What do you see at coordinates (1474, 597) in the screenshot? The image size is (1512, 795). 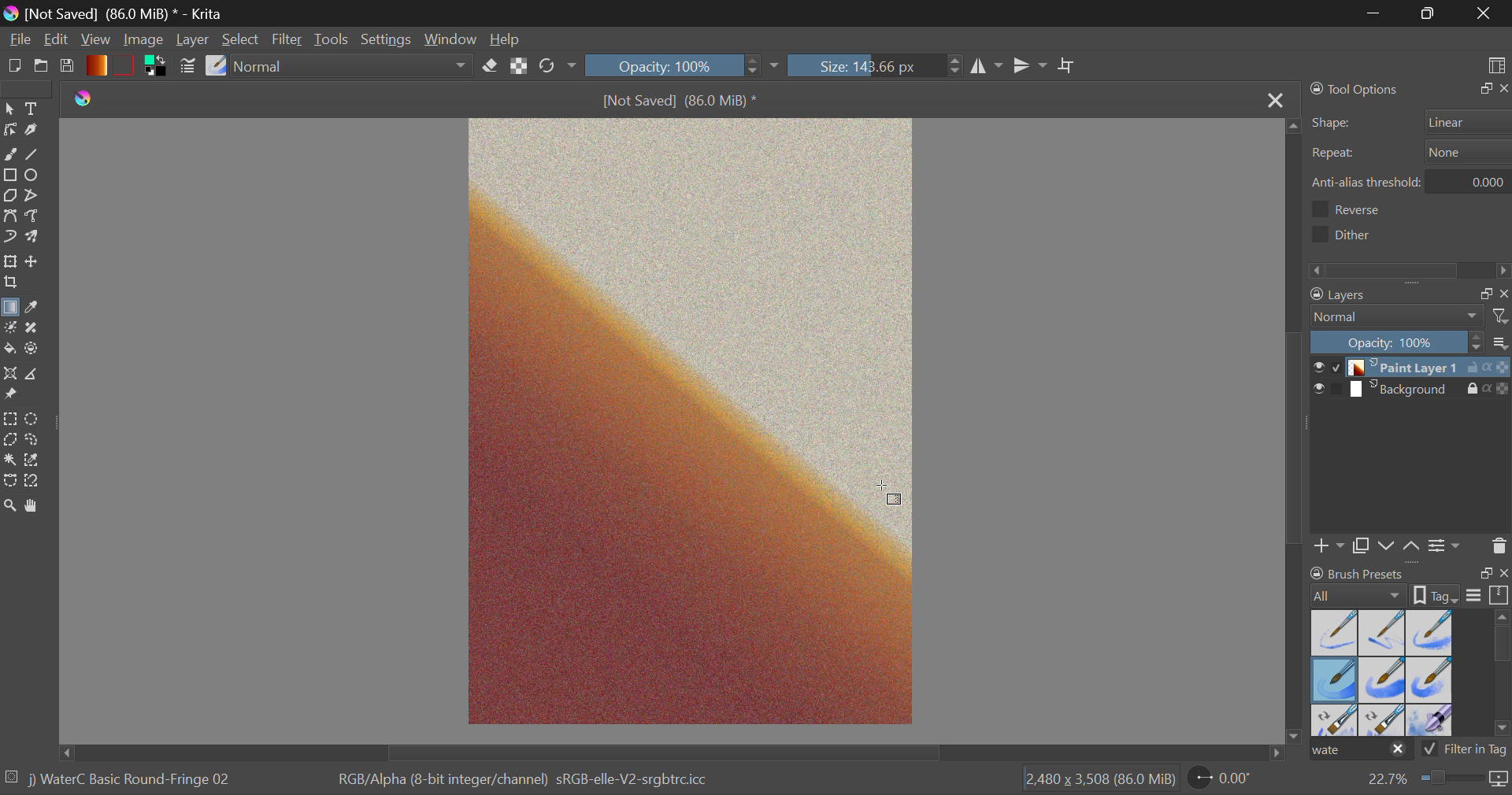 I see `menu` at bounding box center [1474, 597].